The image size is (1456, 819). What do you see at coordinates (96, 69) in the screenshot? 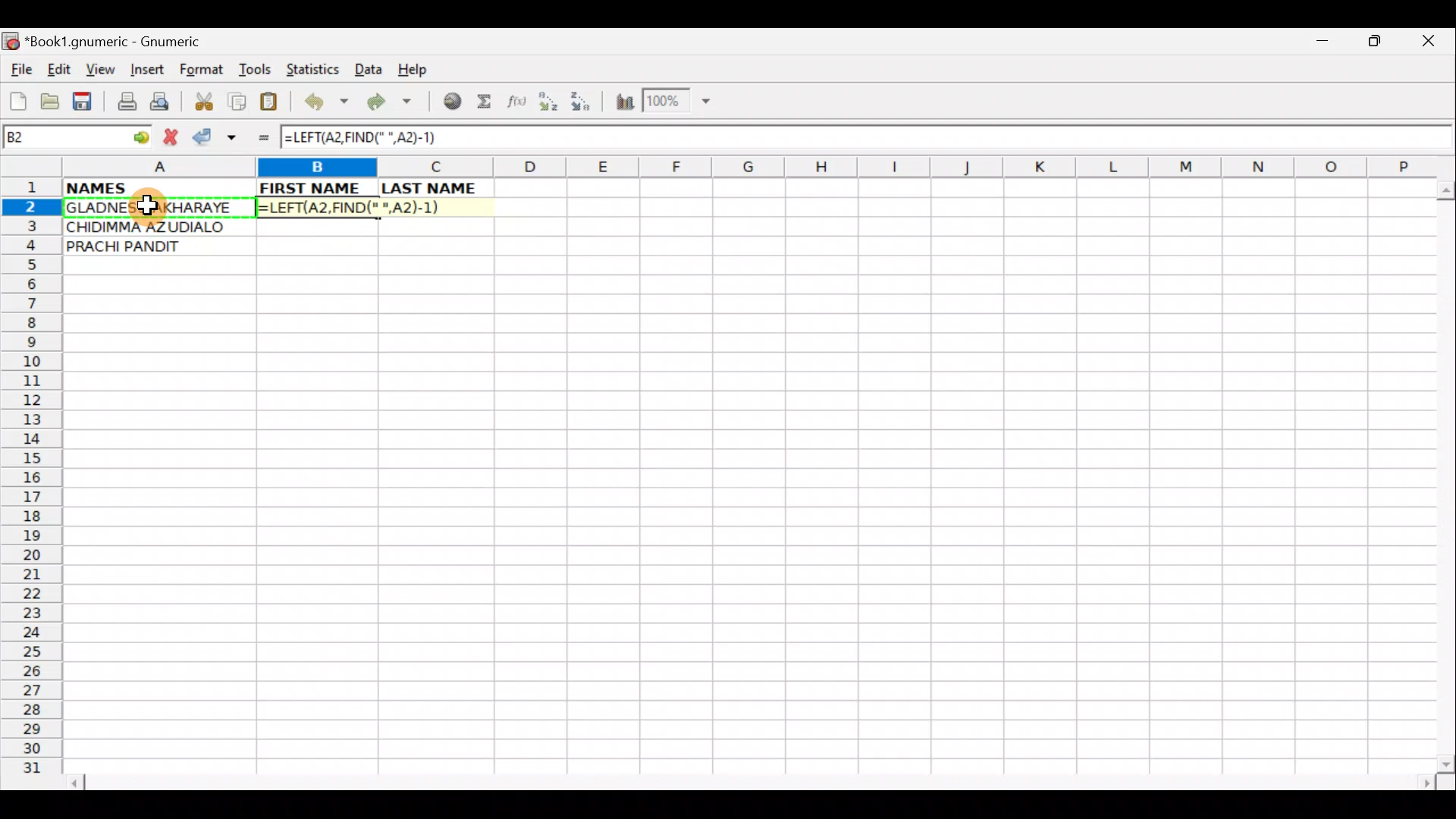
I see `View` at bounding box center [96, 69].